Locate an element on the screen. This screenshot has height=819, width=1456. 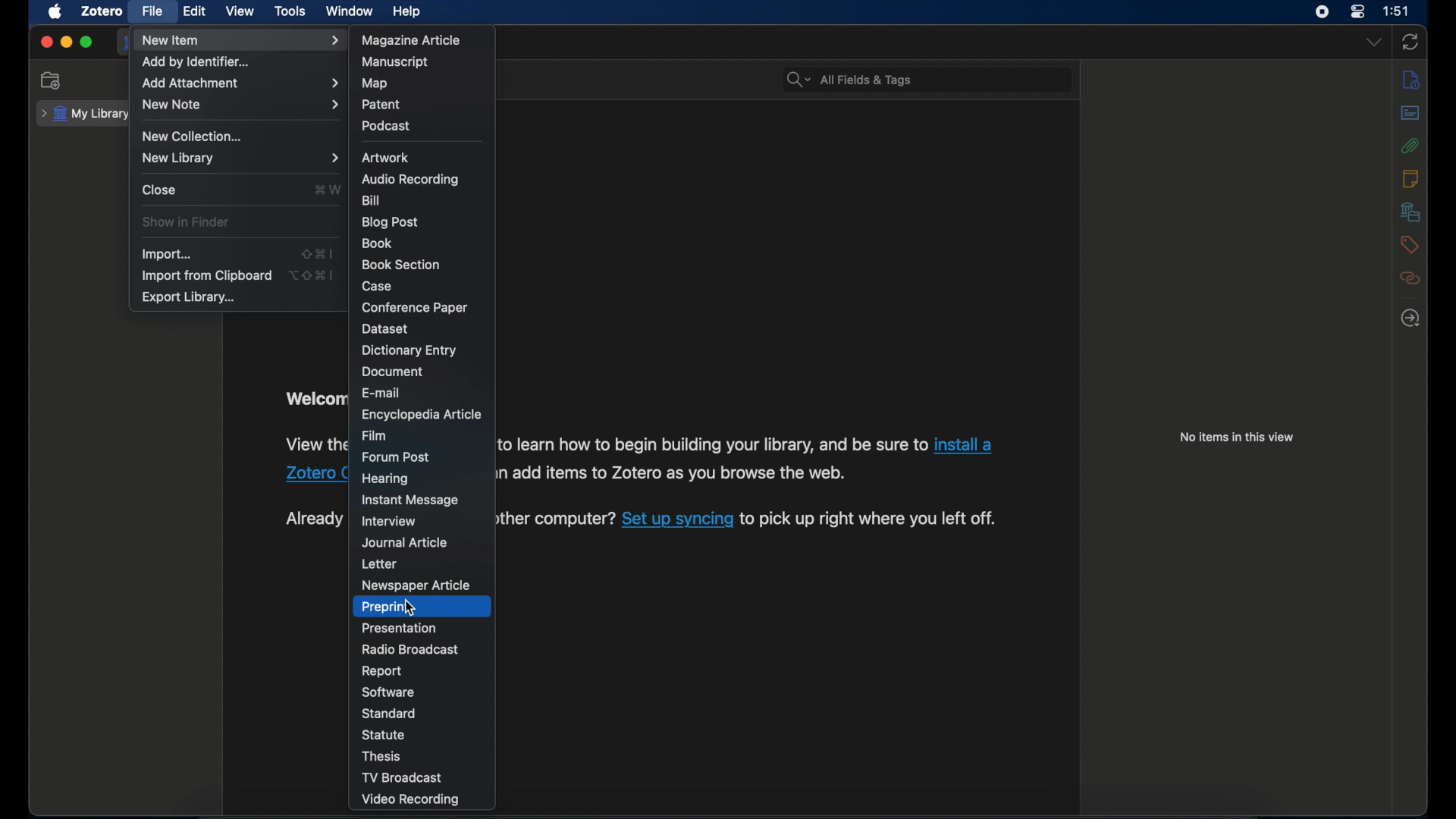
import is located at coordinates (168, 254).